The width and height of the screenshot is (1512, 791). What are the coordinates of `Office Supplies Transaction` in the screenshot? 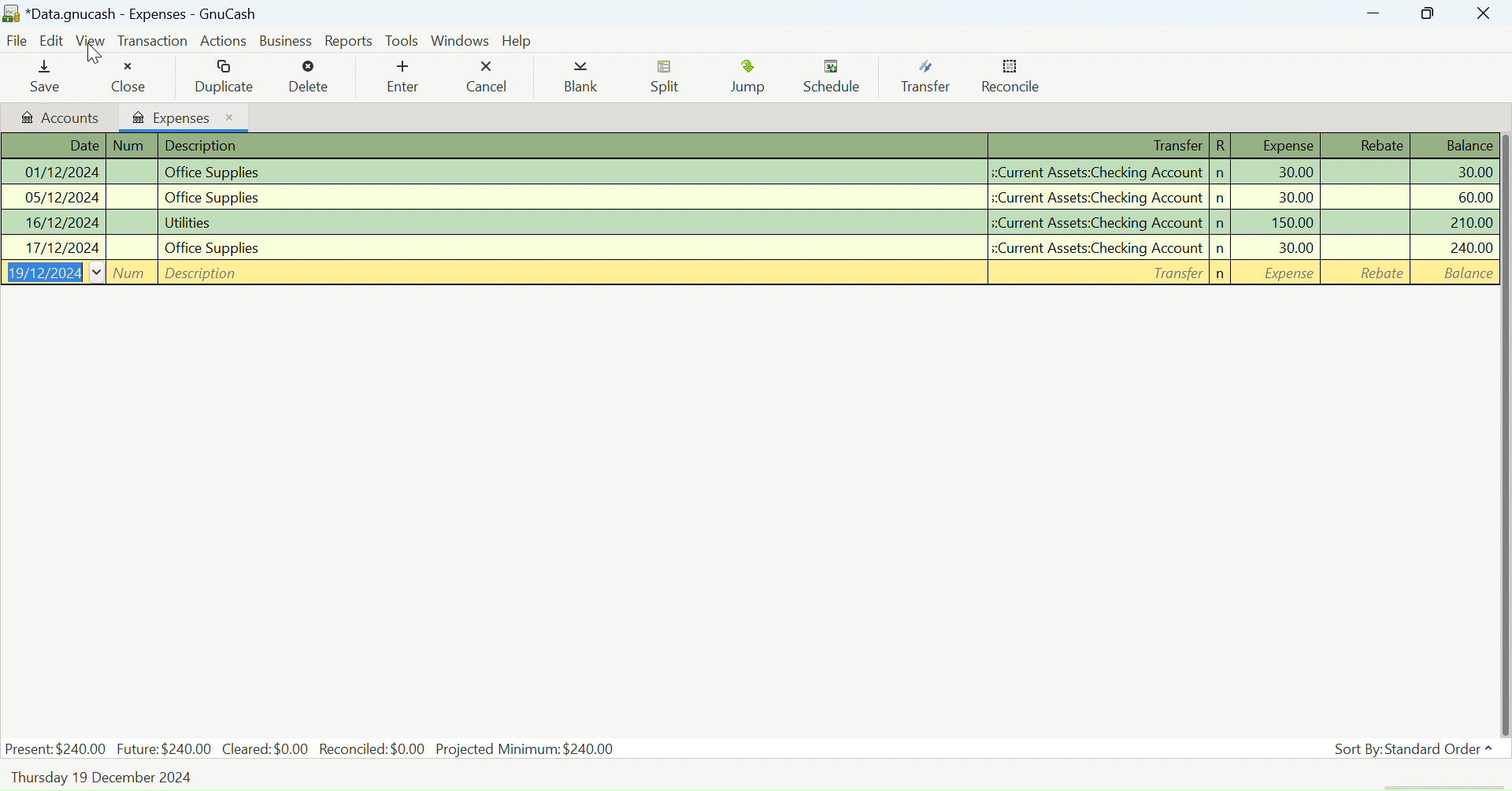 It's located at (747, 247).